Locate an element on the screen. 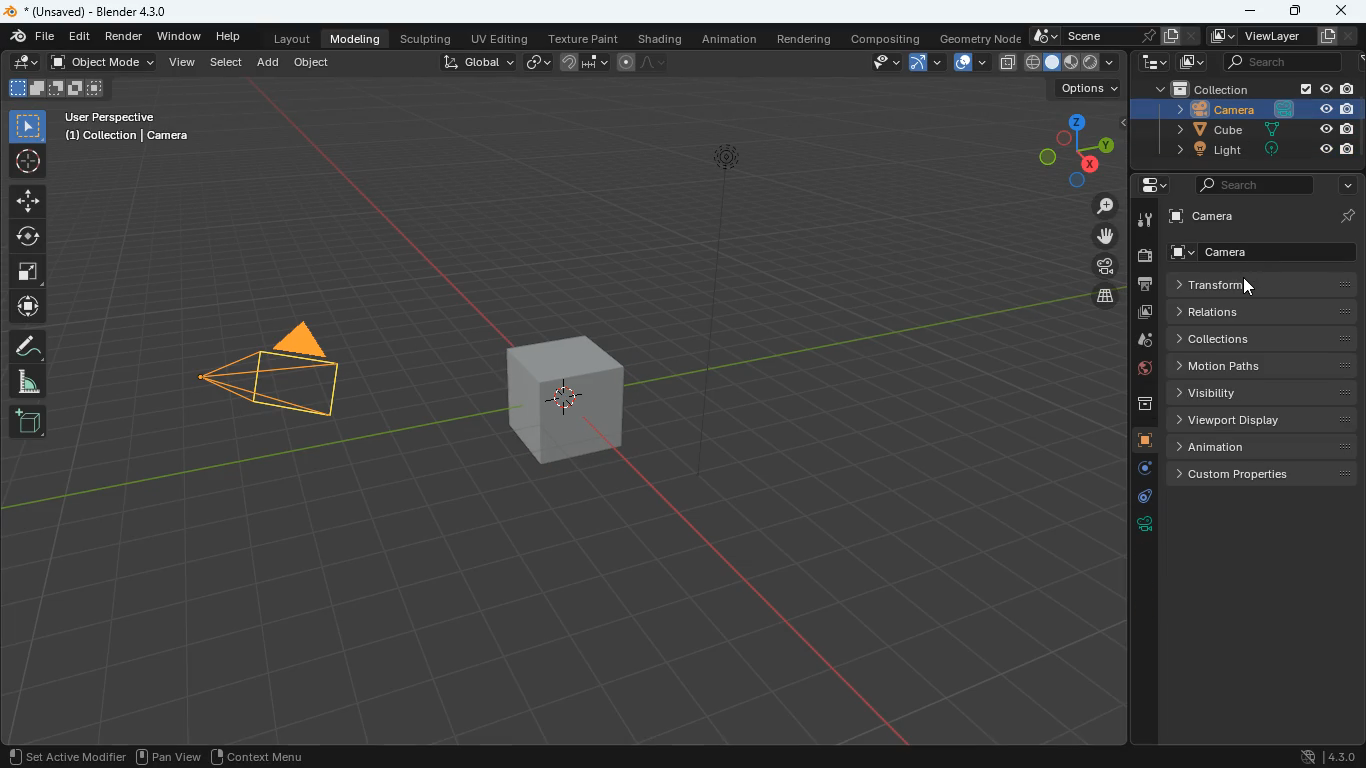 The height and width of the screenshot is (768, 1366). settings is located at coordinates (1136, 469).